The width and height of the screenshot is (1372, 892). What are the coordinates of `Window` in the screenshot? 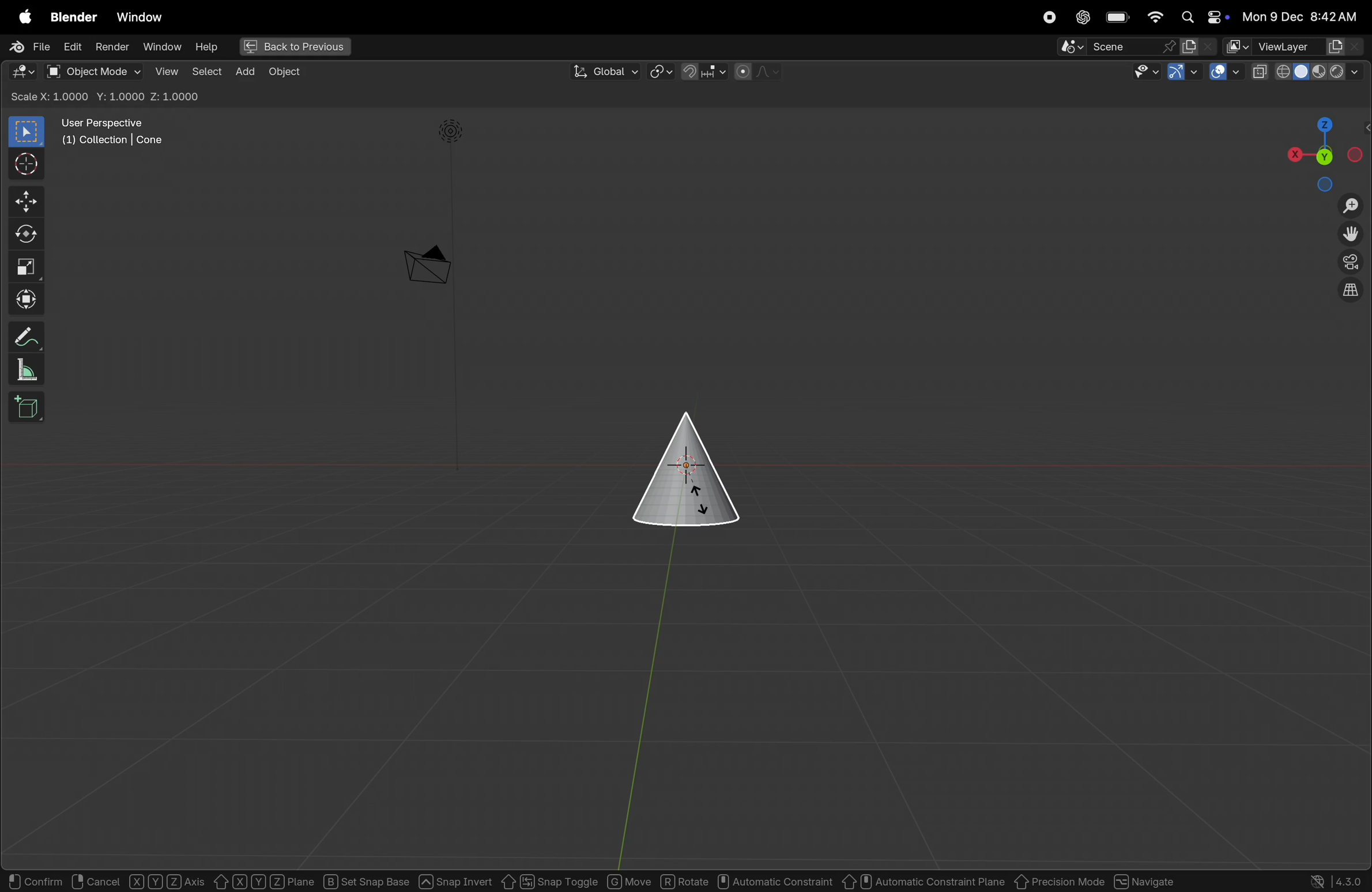 It's located at (140, 17).